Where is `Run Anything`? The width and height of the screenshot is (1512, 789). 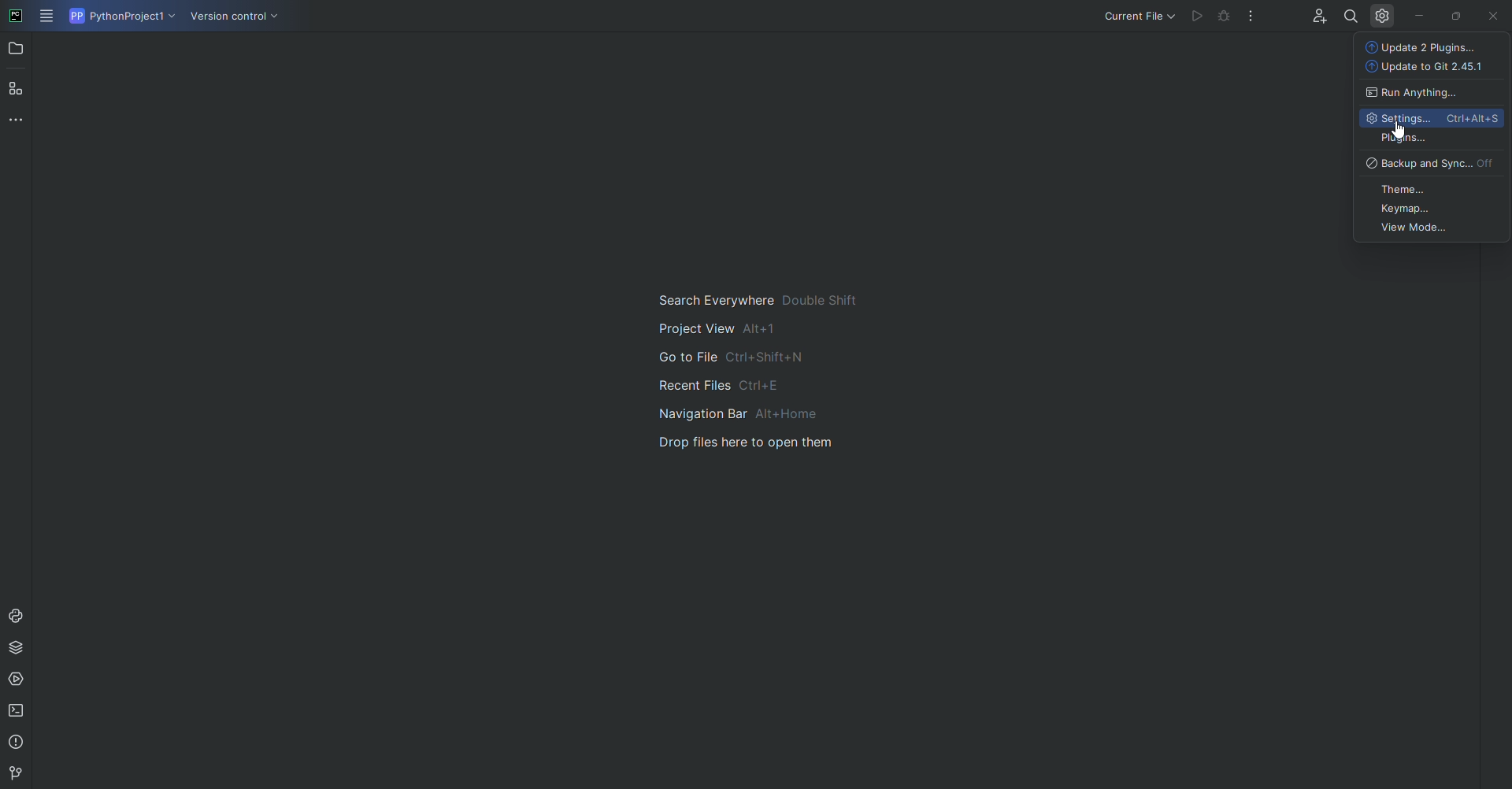 Run Anything is located at coordinates (1431, 92).